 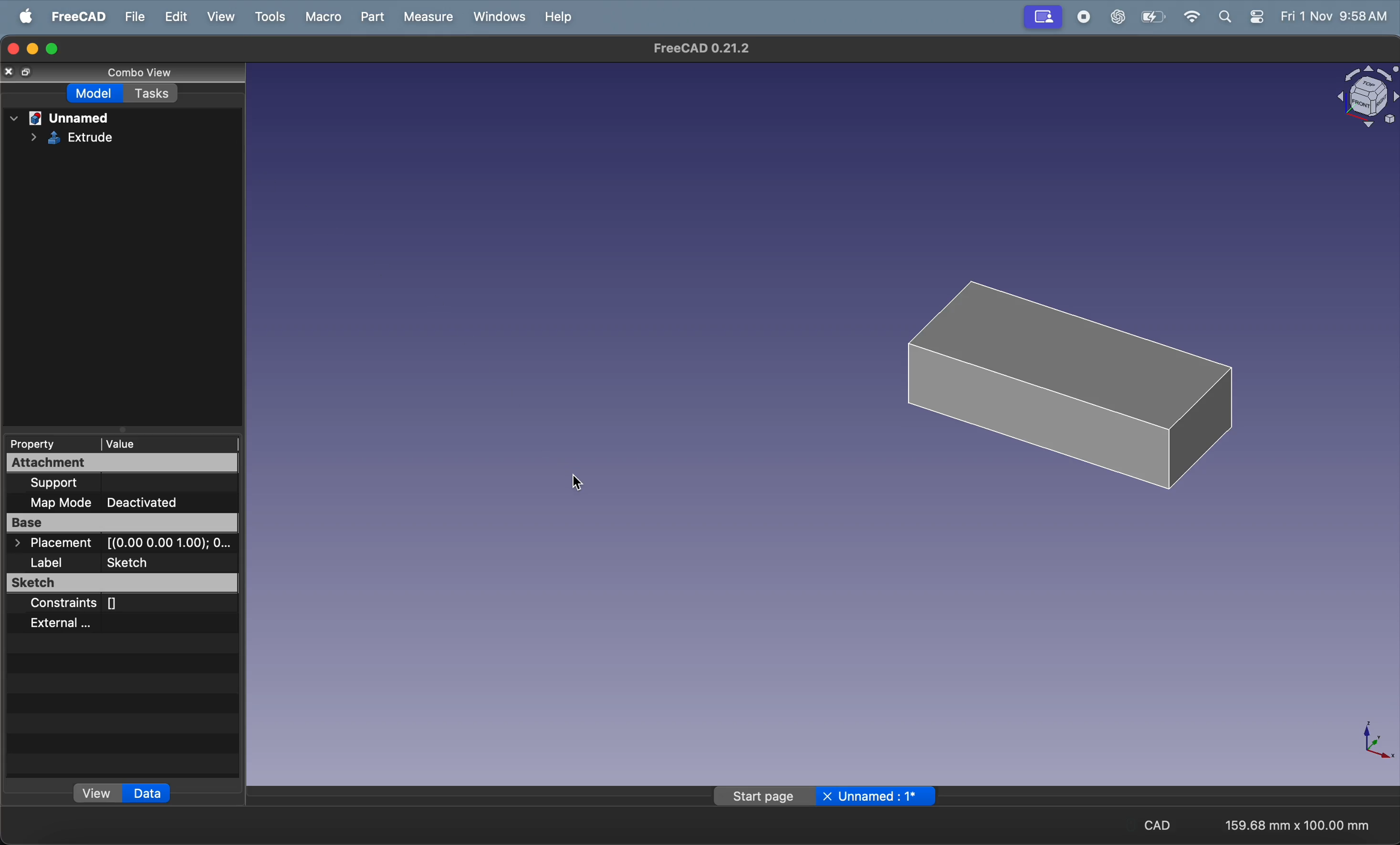 What do you see at coordinates (1302, 825) in the screenshot?
I see `aspect ratio` at bounding box center [1302, 825].